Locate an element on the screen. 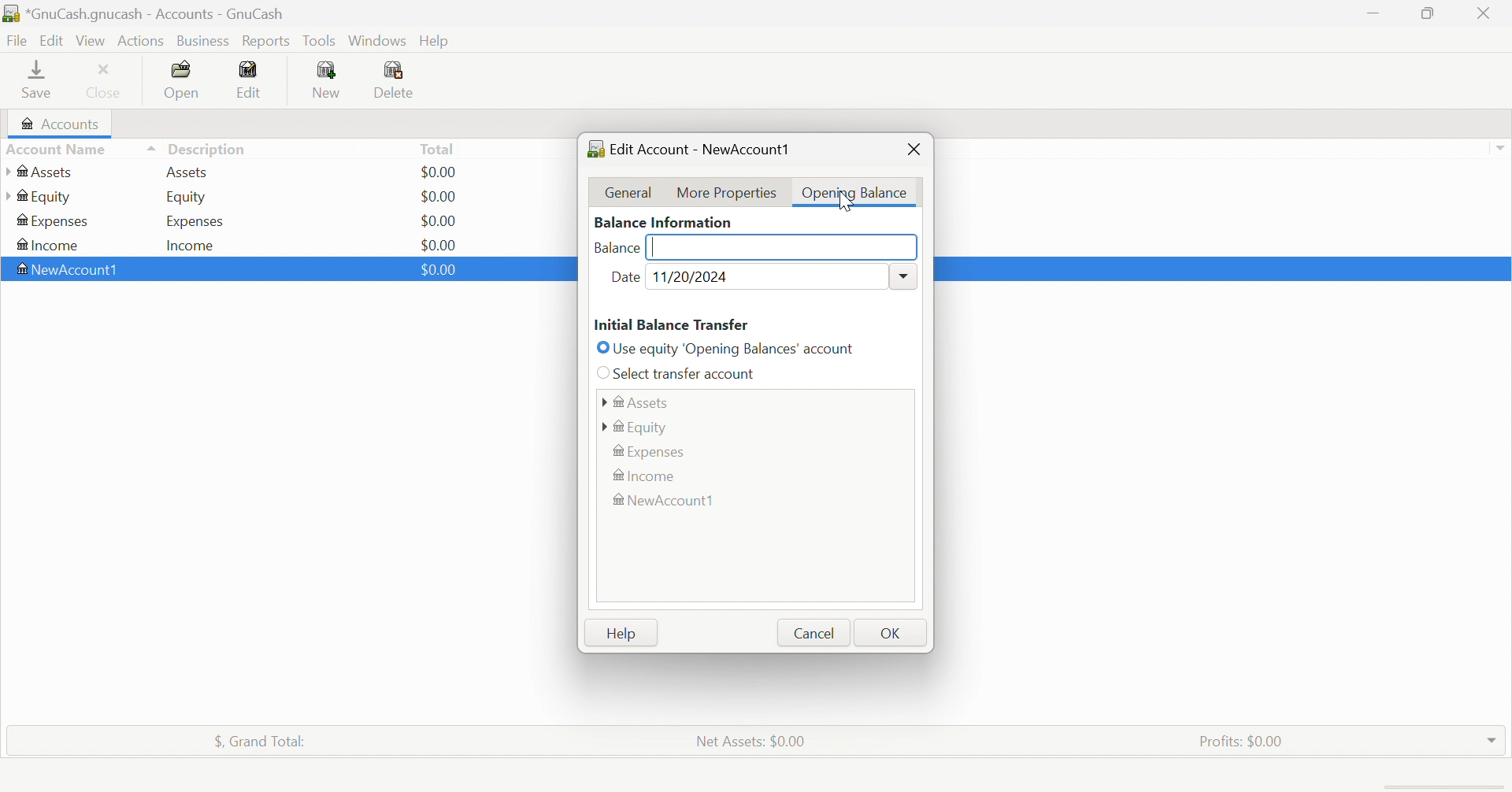 This screenshot has width=1512, height=792. Net Assets: $0.00 is located at coordinates (751, 741).